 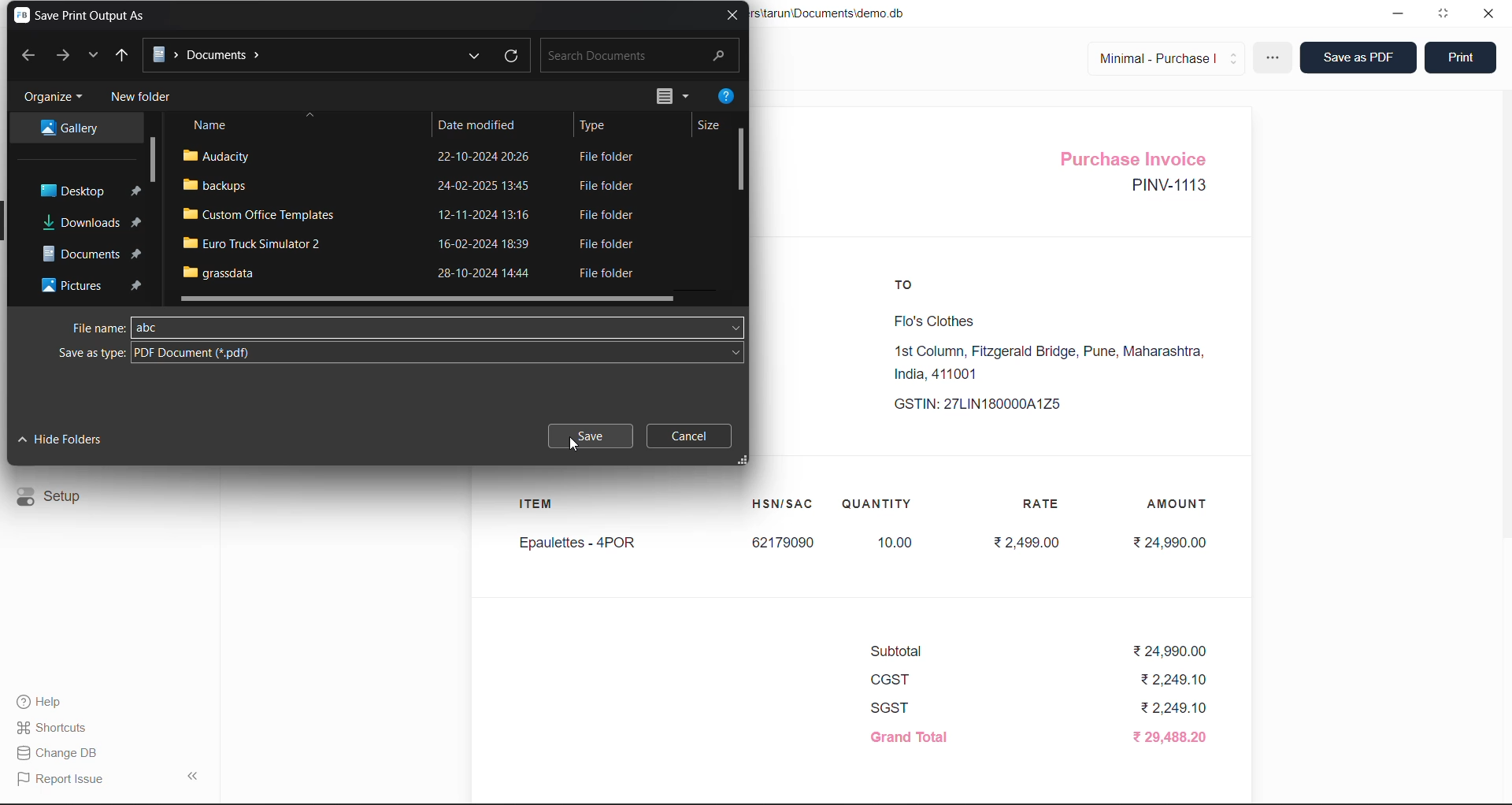 I want to click on Name, so click(x=213, y=127).